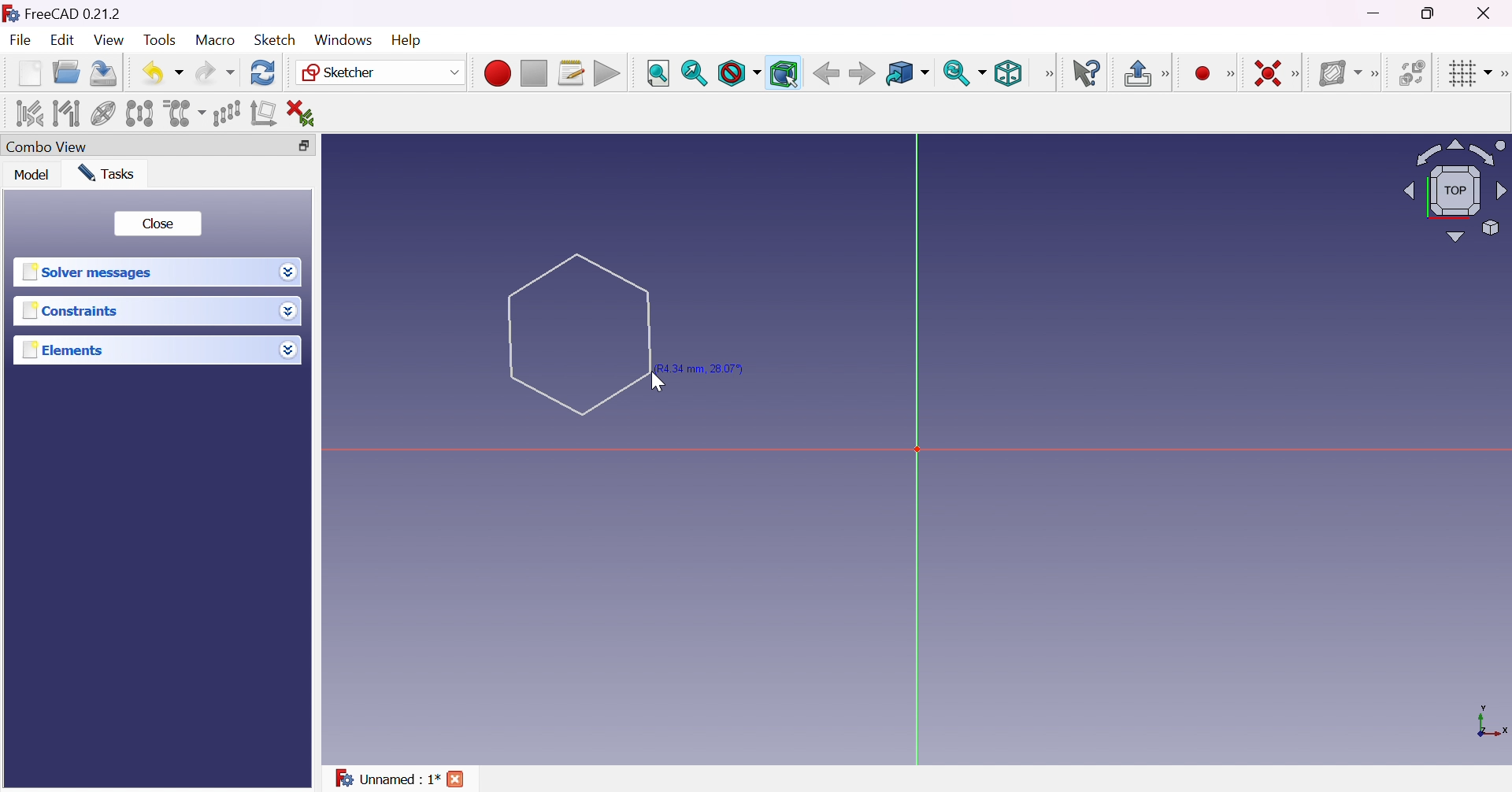 This screenshot has width=1512, height=792. I want to click on Go to linked object, so click(907, 75).